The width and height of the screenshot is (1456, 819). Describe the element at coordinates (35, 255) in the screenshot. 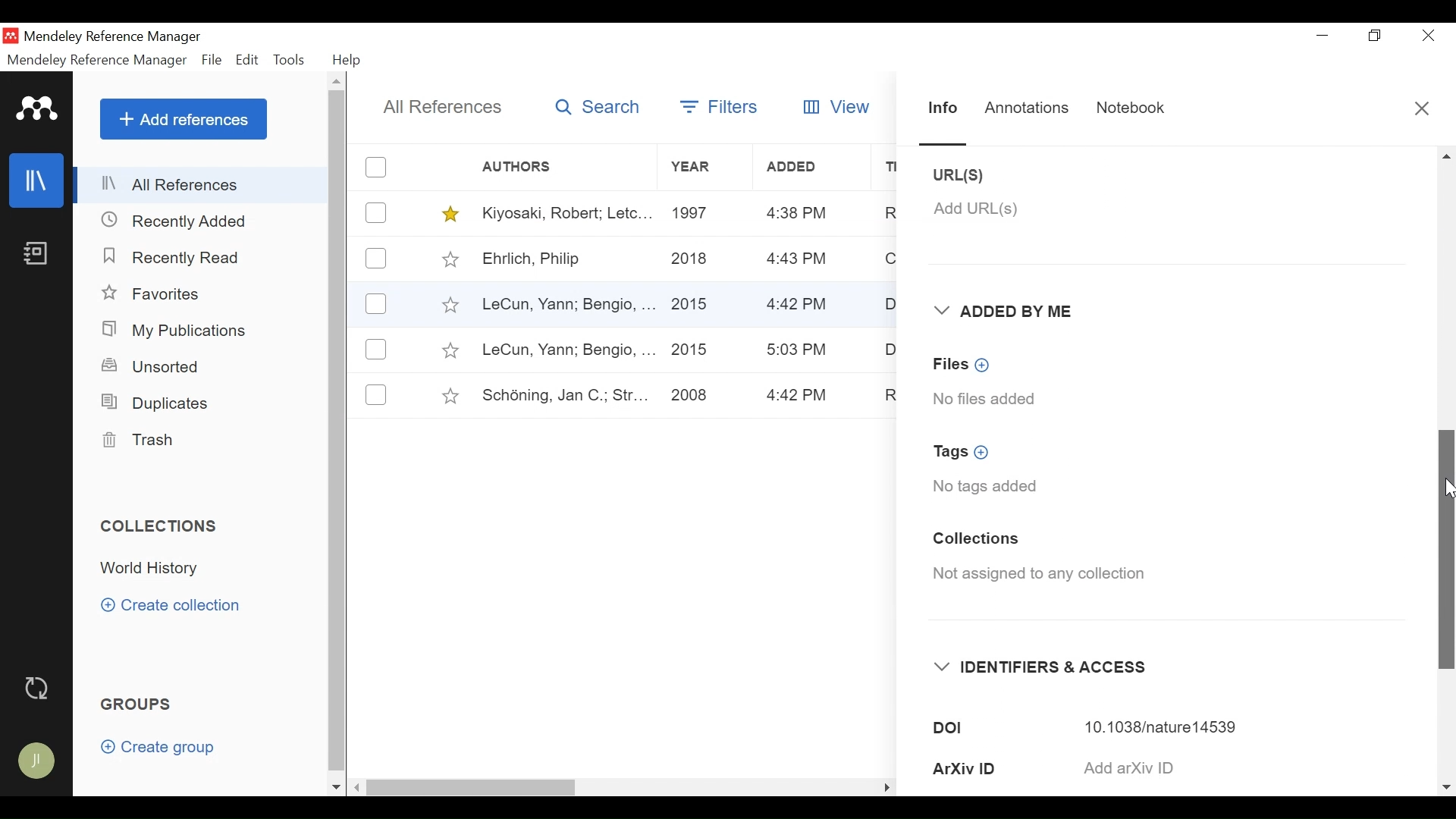

I see `Notebook` at that location.